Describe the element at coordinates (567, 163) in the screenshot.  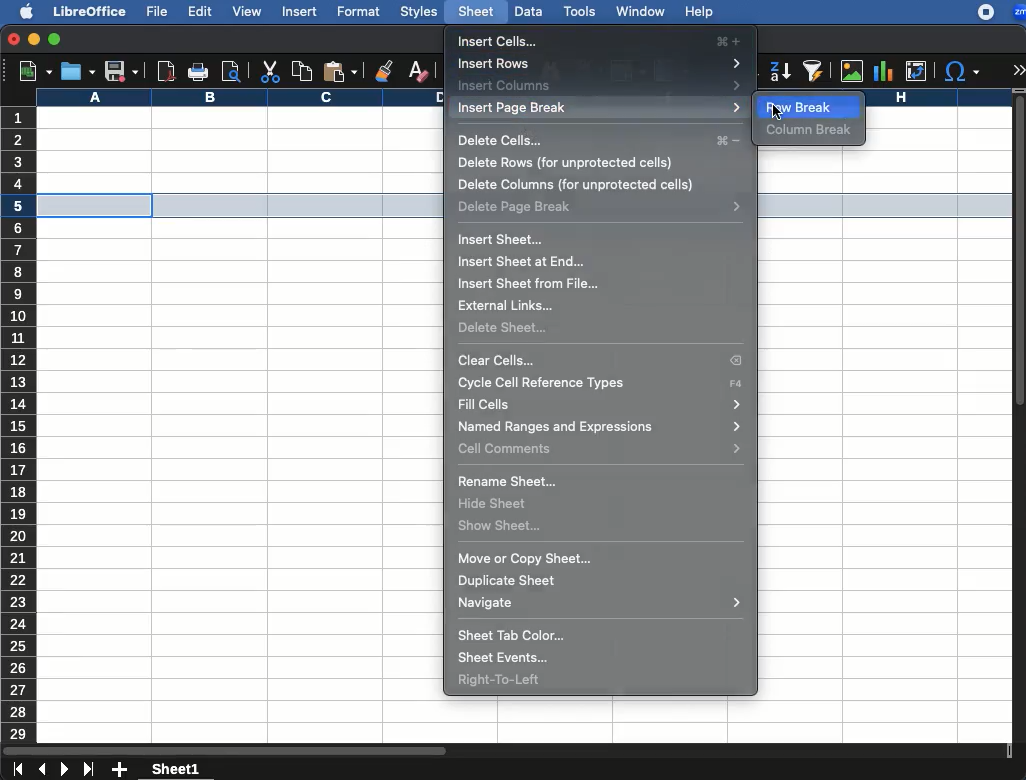
I see `delete rows (for unprotected cells)` at that location.